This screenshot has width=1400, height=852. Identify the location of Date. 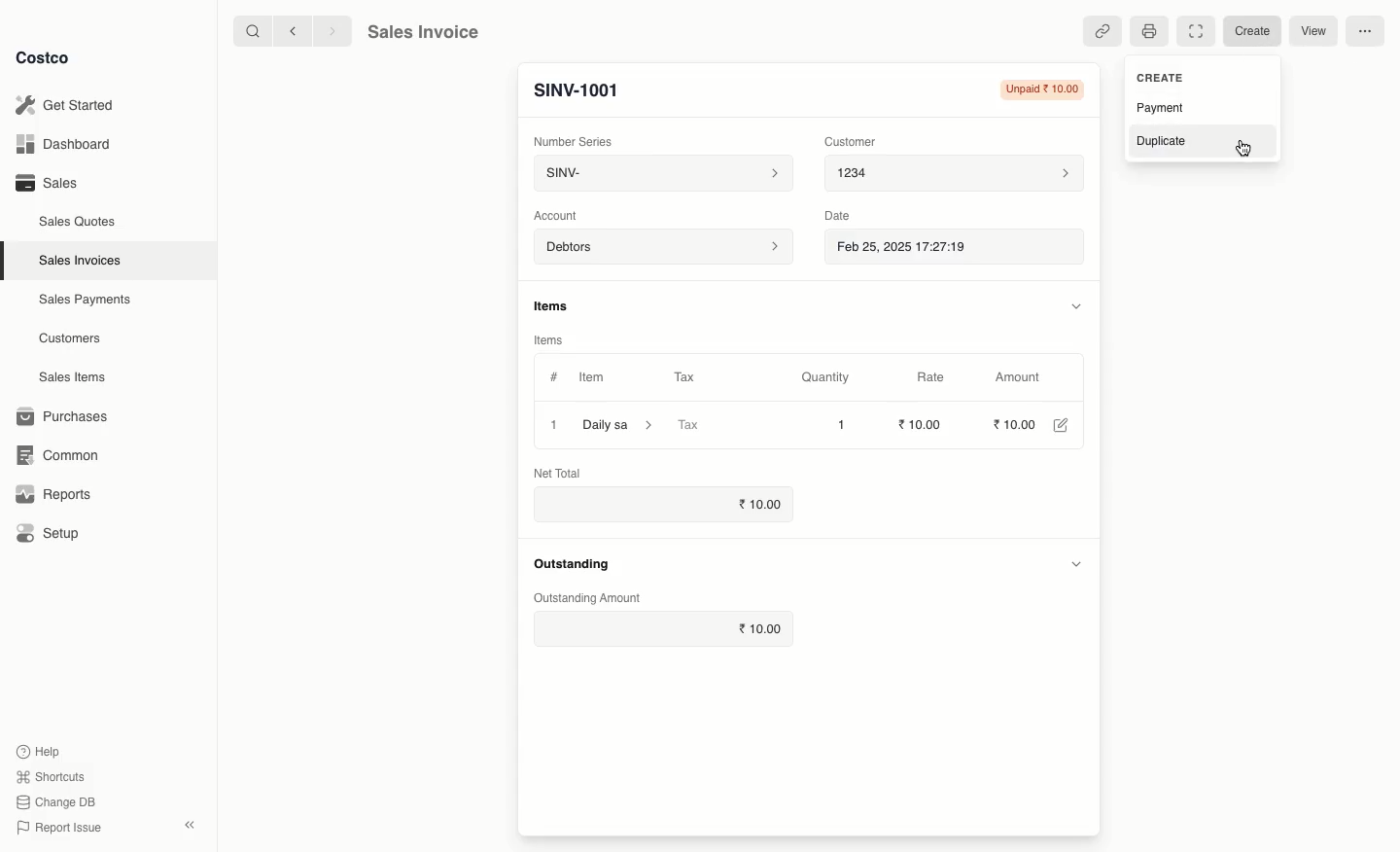
(842, 218).